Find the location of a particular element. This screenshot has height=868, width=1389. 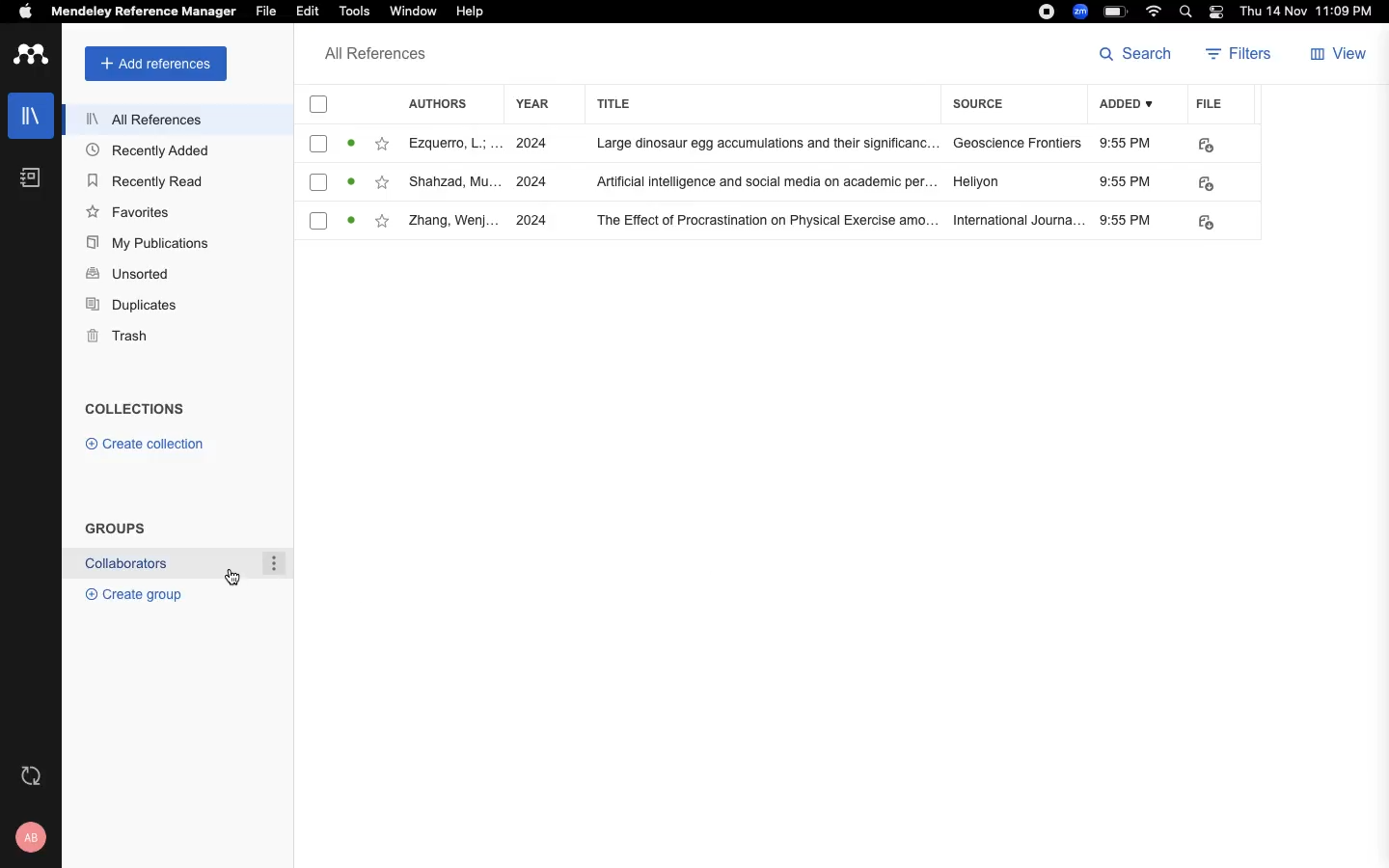

profile is located at coordinates (34, 837).